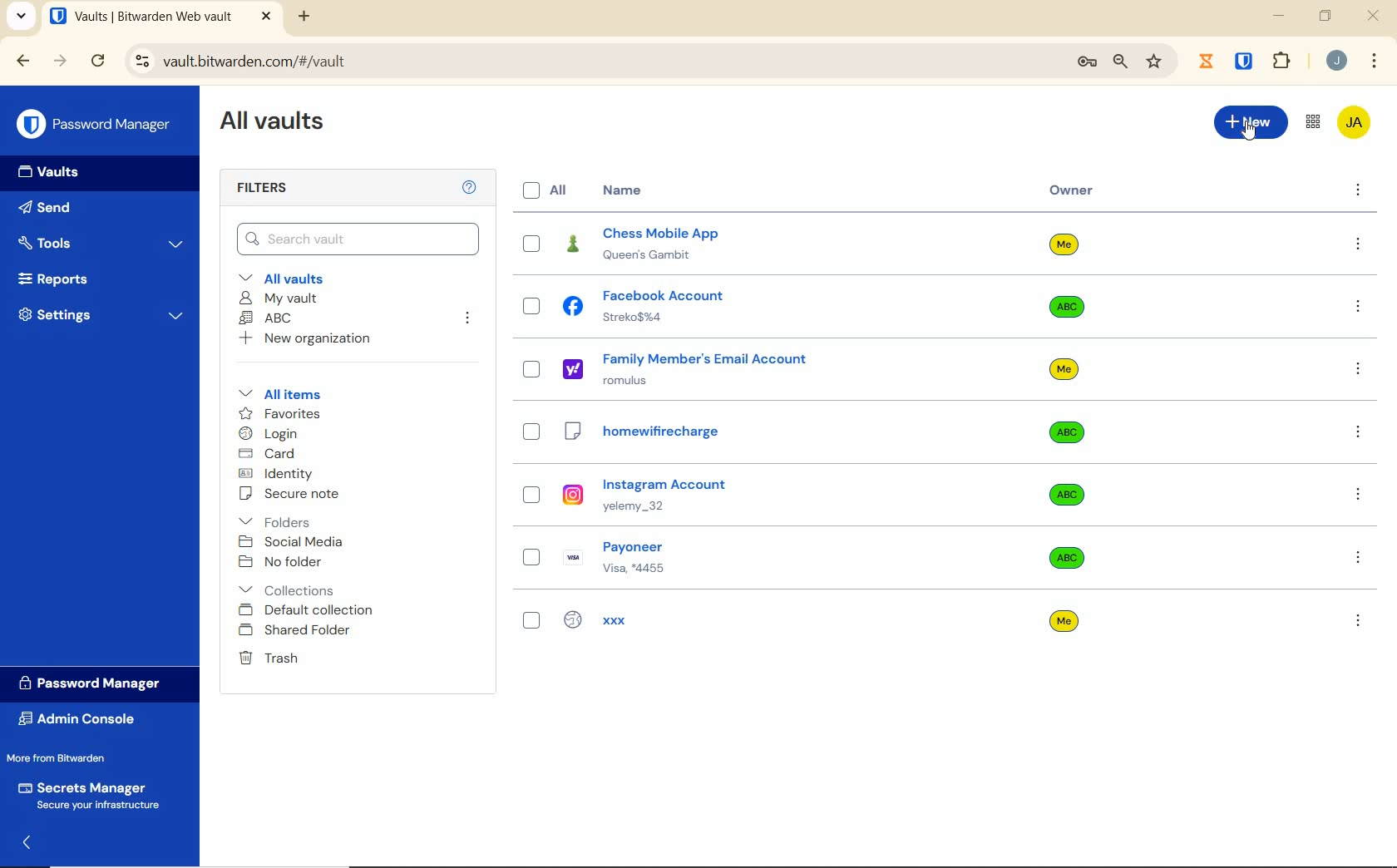 The height and width of the screenshot is (868, 1397). Describe the element at coordinates (548, 190) in the screenshot. I see `All` at that location.